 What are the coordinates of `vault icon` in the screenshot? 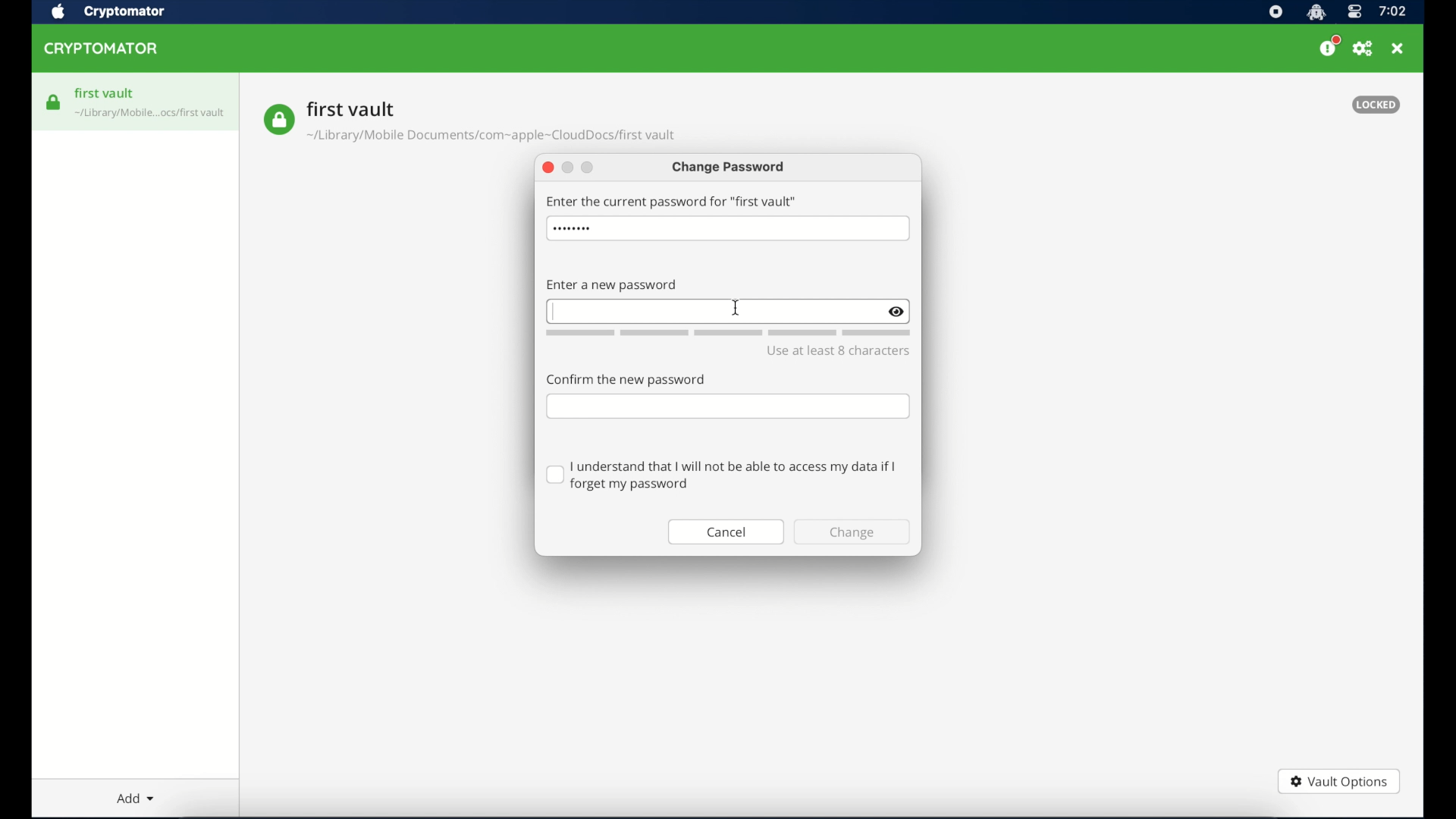 It's located at (278, 120).